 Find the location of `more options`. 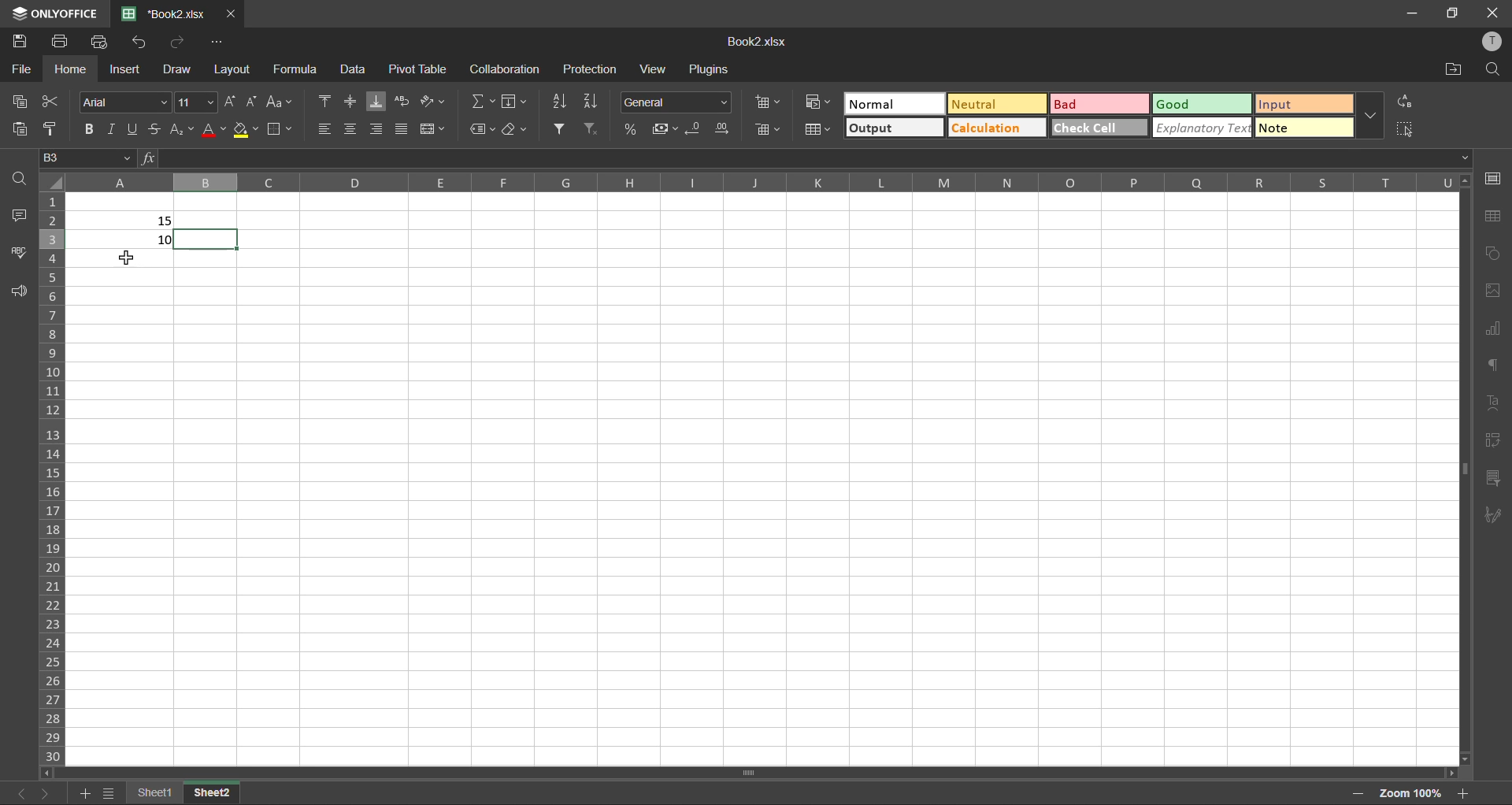

more options is located at coordinates (1374, 117).